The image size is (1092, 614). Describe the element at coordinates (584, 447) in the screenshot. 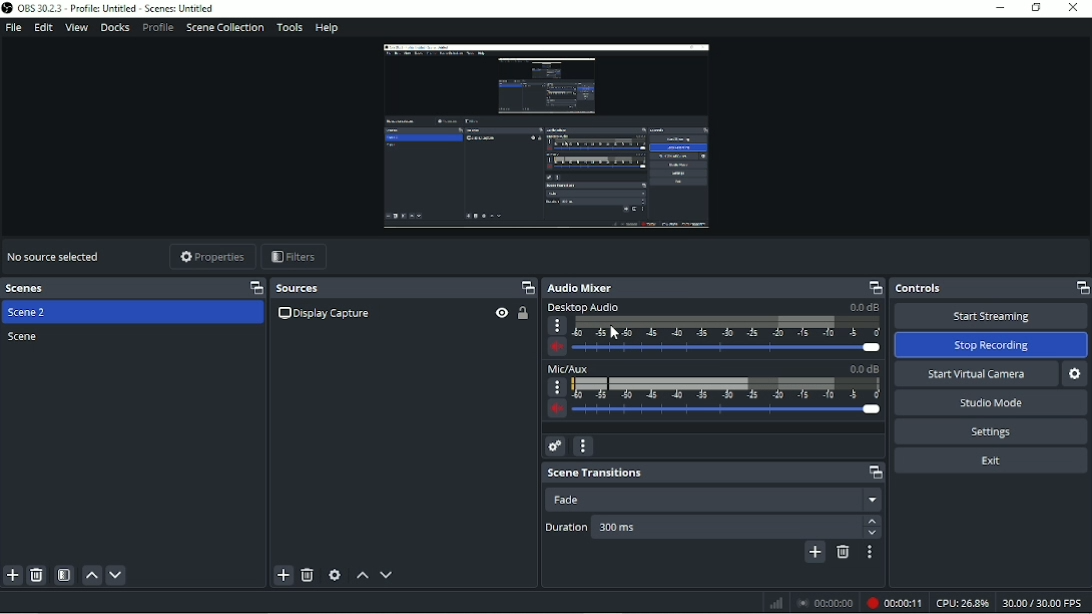

I see `Audio mixer menu` at that location.